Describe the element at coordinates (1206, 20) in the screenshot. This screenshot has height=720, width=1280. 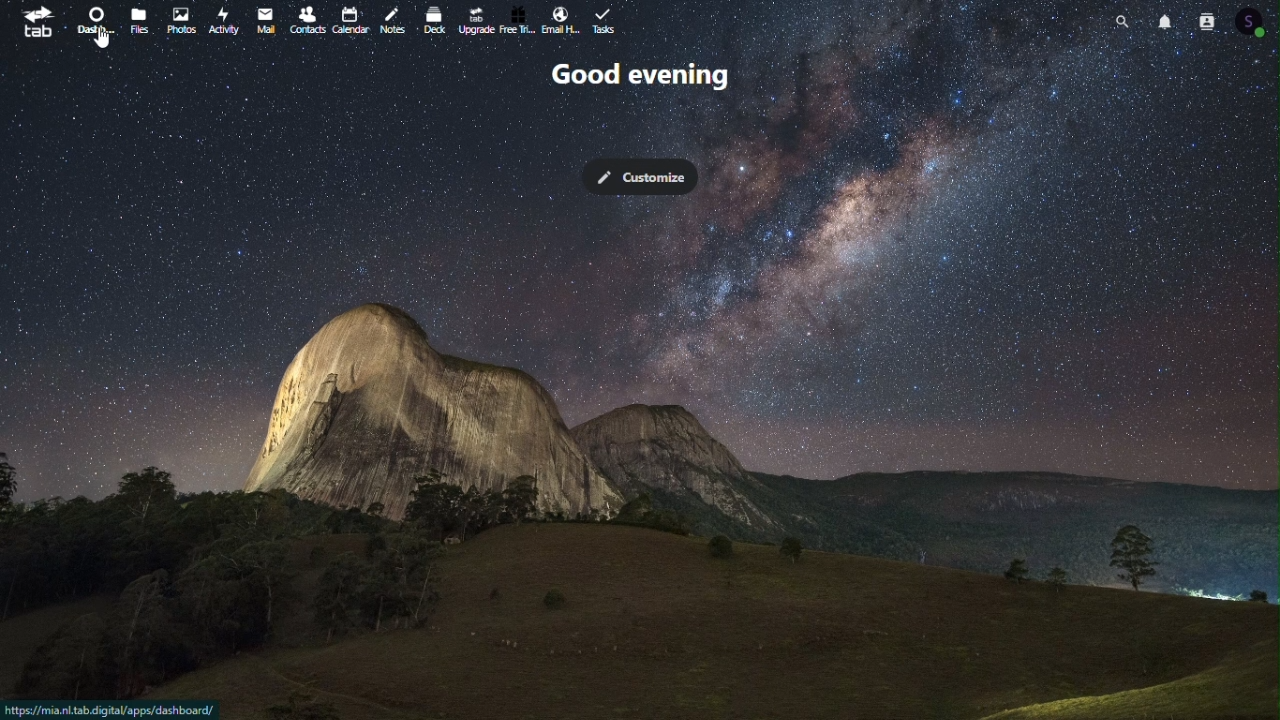
I see `Contacts` at that location.